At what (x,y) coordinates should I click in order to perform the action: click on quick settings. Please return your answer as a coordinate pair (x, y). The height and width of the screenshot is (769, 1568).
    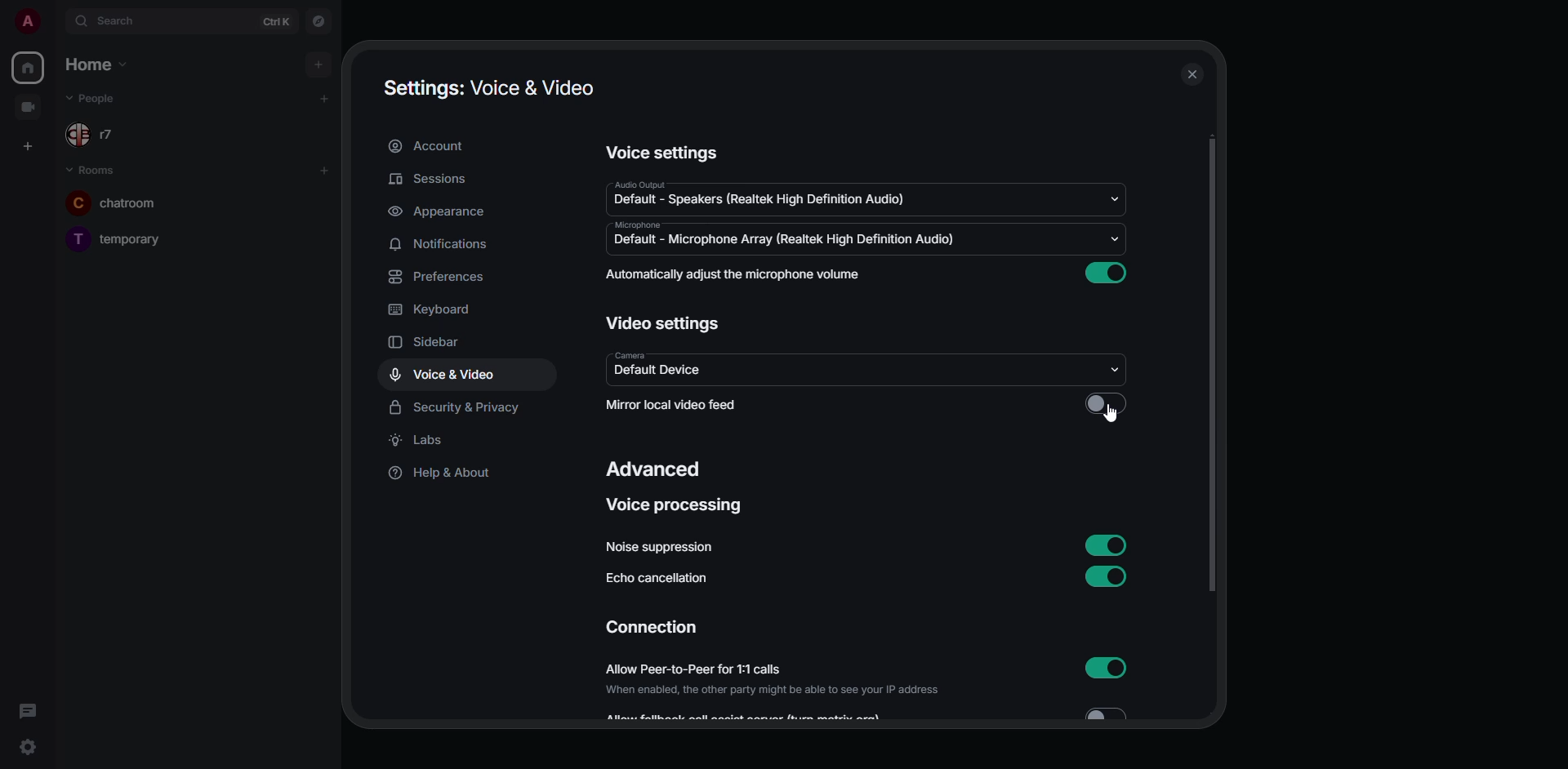
    Looking at the image, I should click on (26, 747).